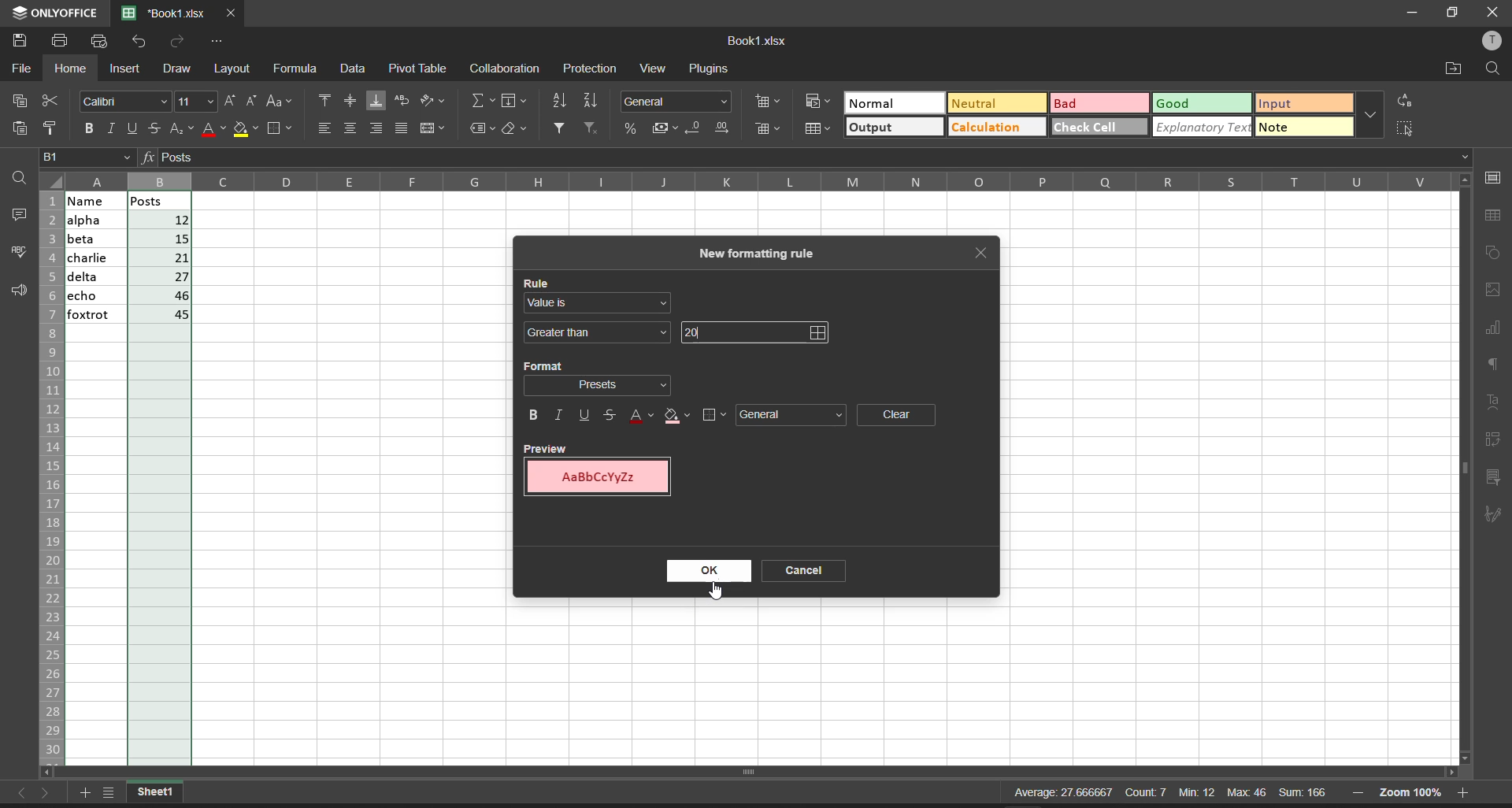 This screenshot has width=1512, height=808. Describe the element at coordinates (1471, 754) in the screenshot. I see `scroll down` at that location.